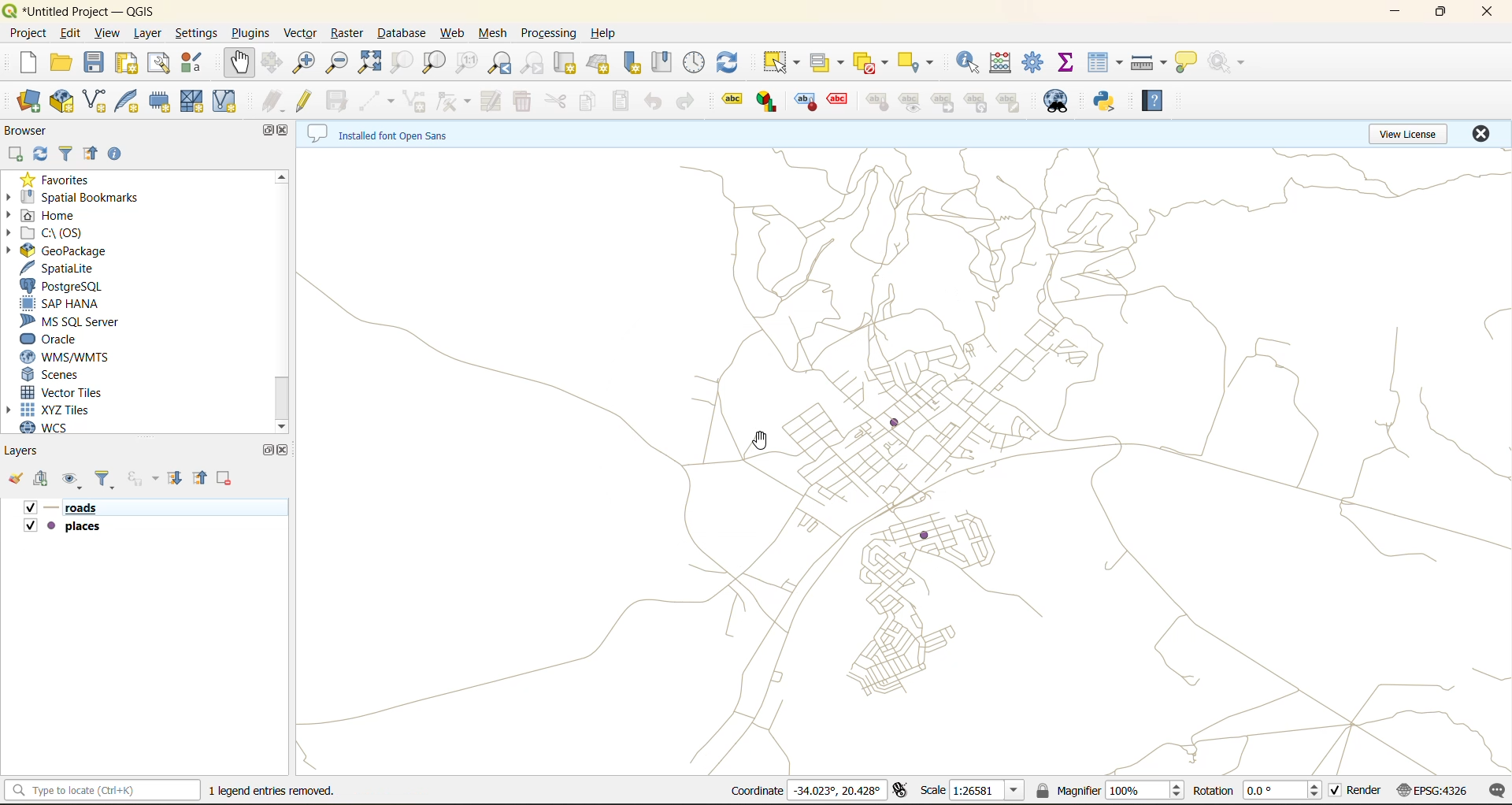 The width and height of the screenshot is (1512, 805). What do you see at coordinates (490, 102) in the screenshot?
I see `modify` at bounding box center [490, 102].